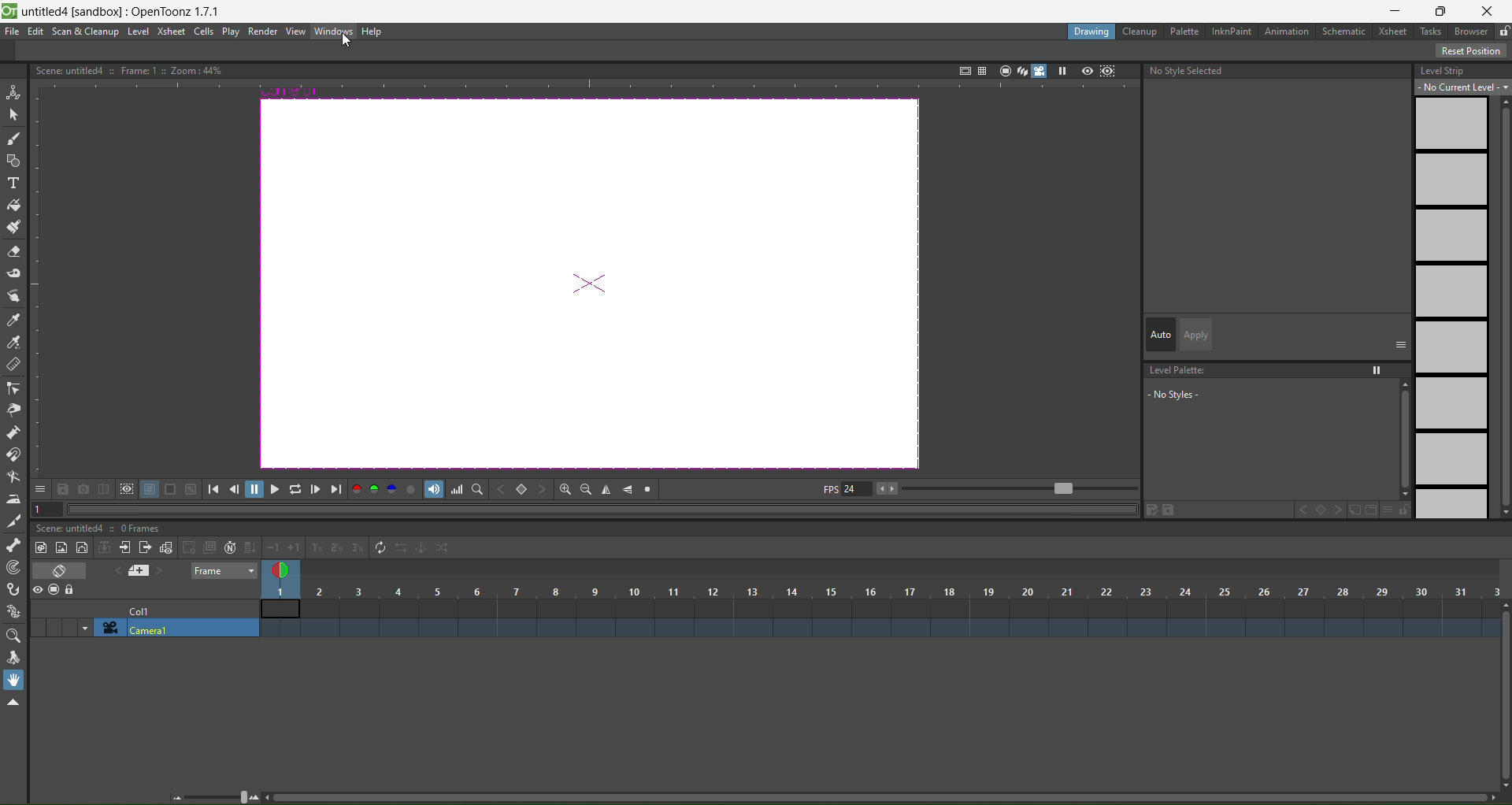 The height and width of the screenshot is (805, 1512). What do you see at coordinates (13, 703) in the screenshot?
I see `hide toolbar` at bounding box center [13, 703].